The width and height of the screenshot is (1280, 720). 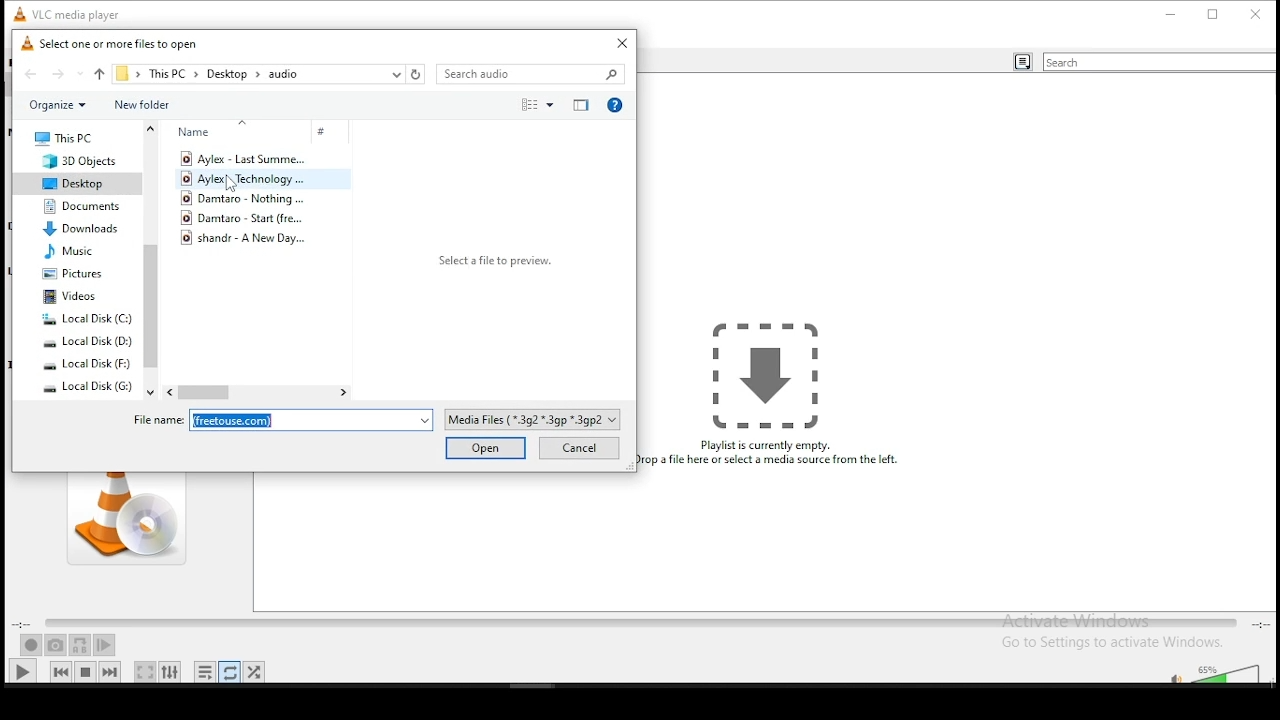 I want to click on recent locations, so click(x=396, y=74).